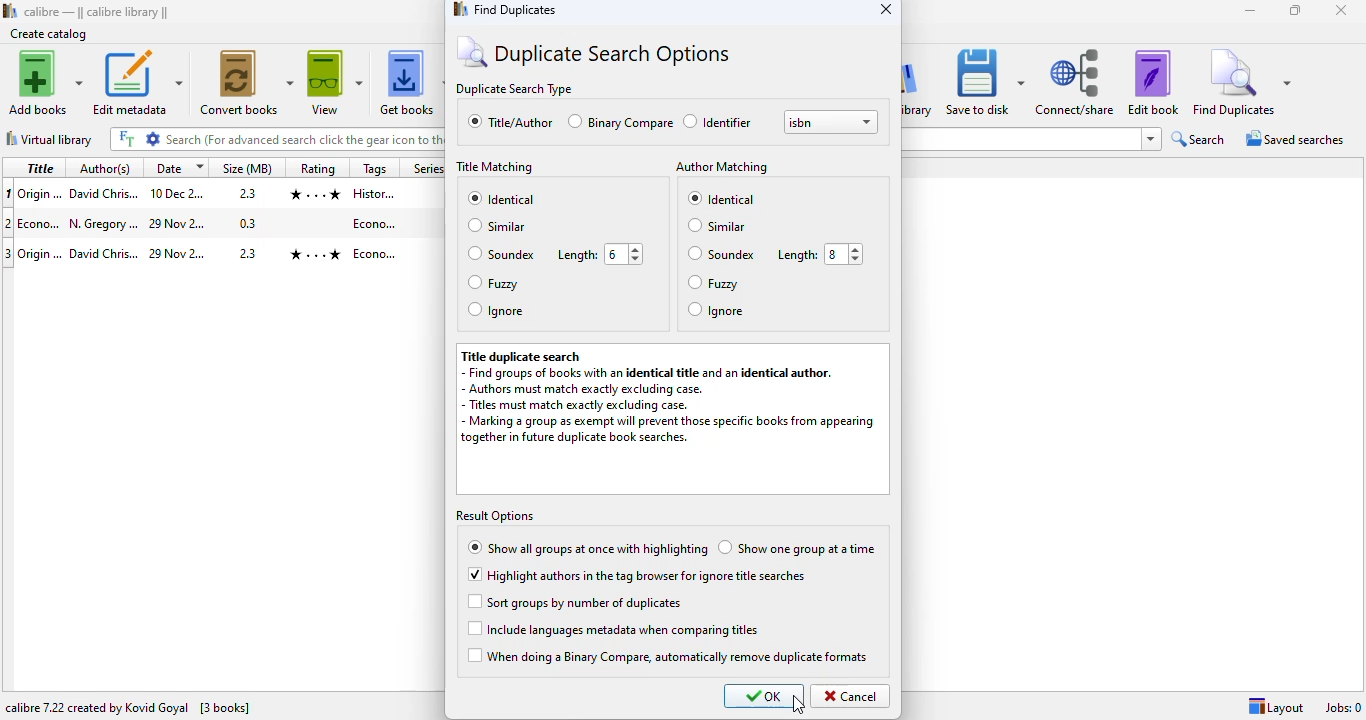 The image size is (1366, 720). Describe the element at coordinates (717, 310) in the screenshot. I see `ignore` at that location.